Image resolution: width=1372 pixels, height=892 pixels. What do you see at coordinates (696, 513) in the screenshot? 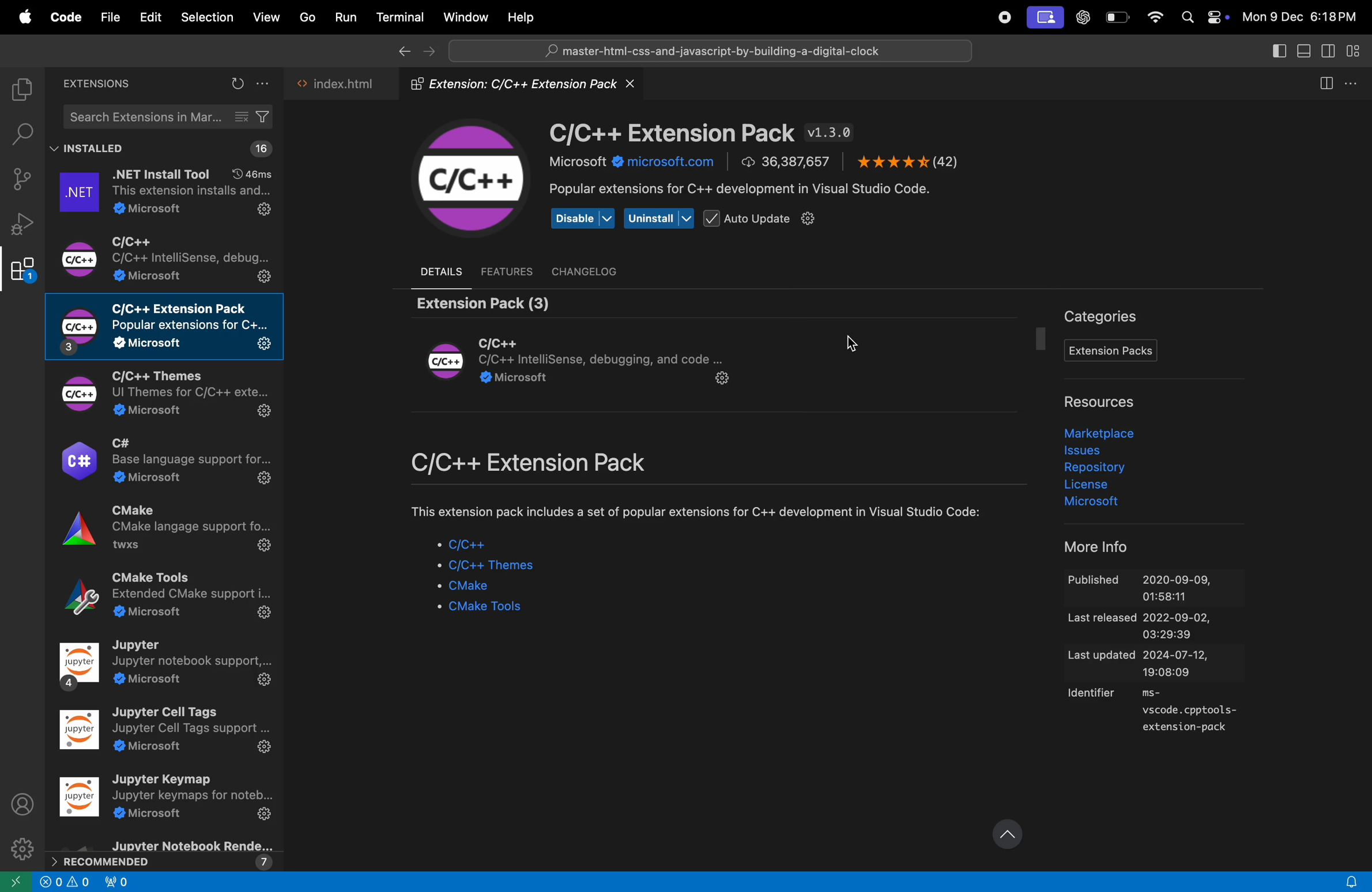
I see `comment about etxension` at bounding box center [696, 513].